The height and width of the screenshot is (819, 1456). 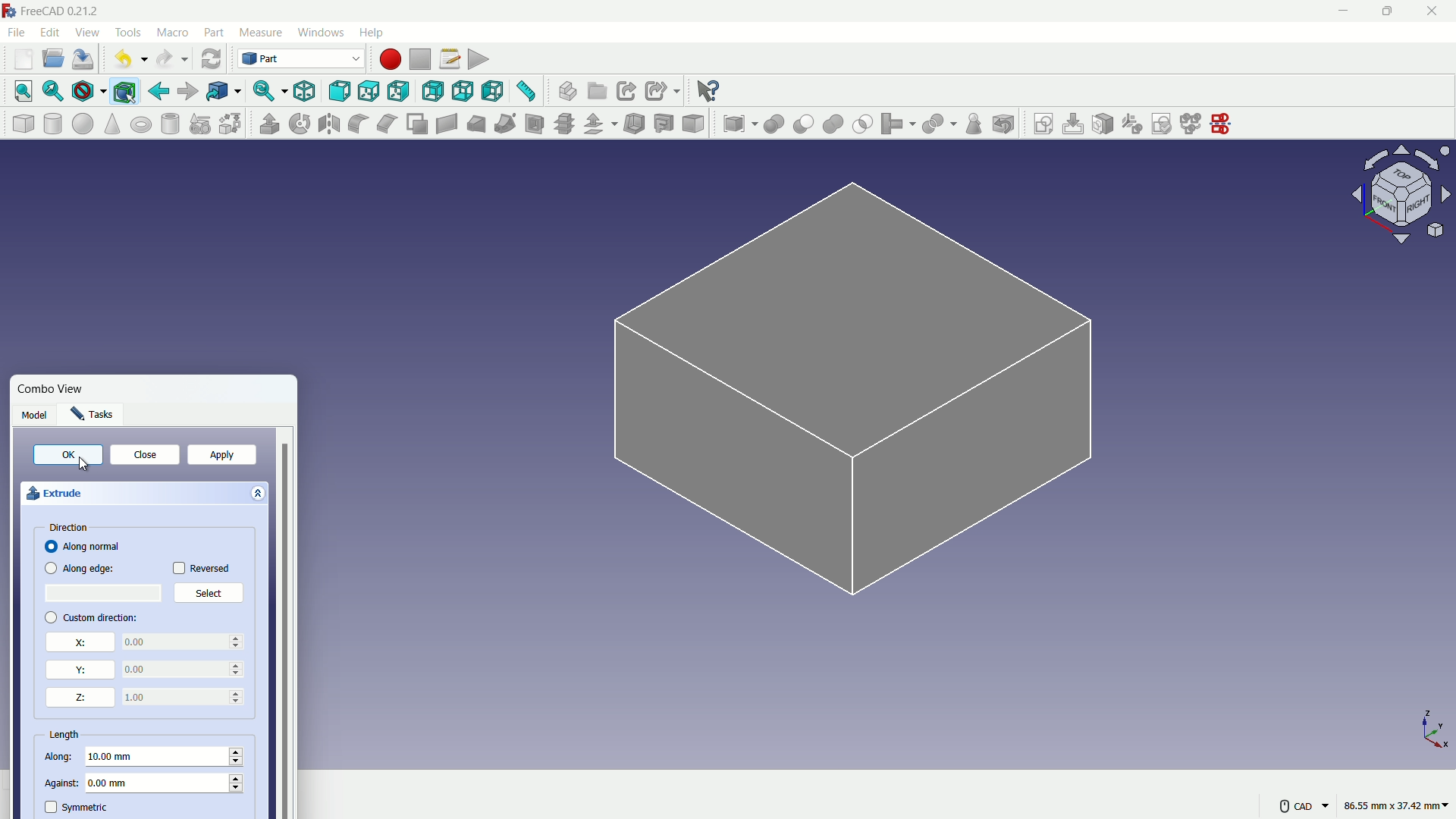 What do you see at coordinates (432, 92) in the screenshot?
I see `back view` at bounding box center [432, 92].